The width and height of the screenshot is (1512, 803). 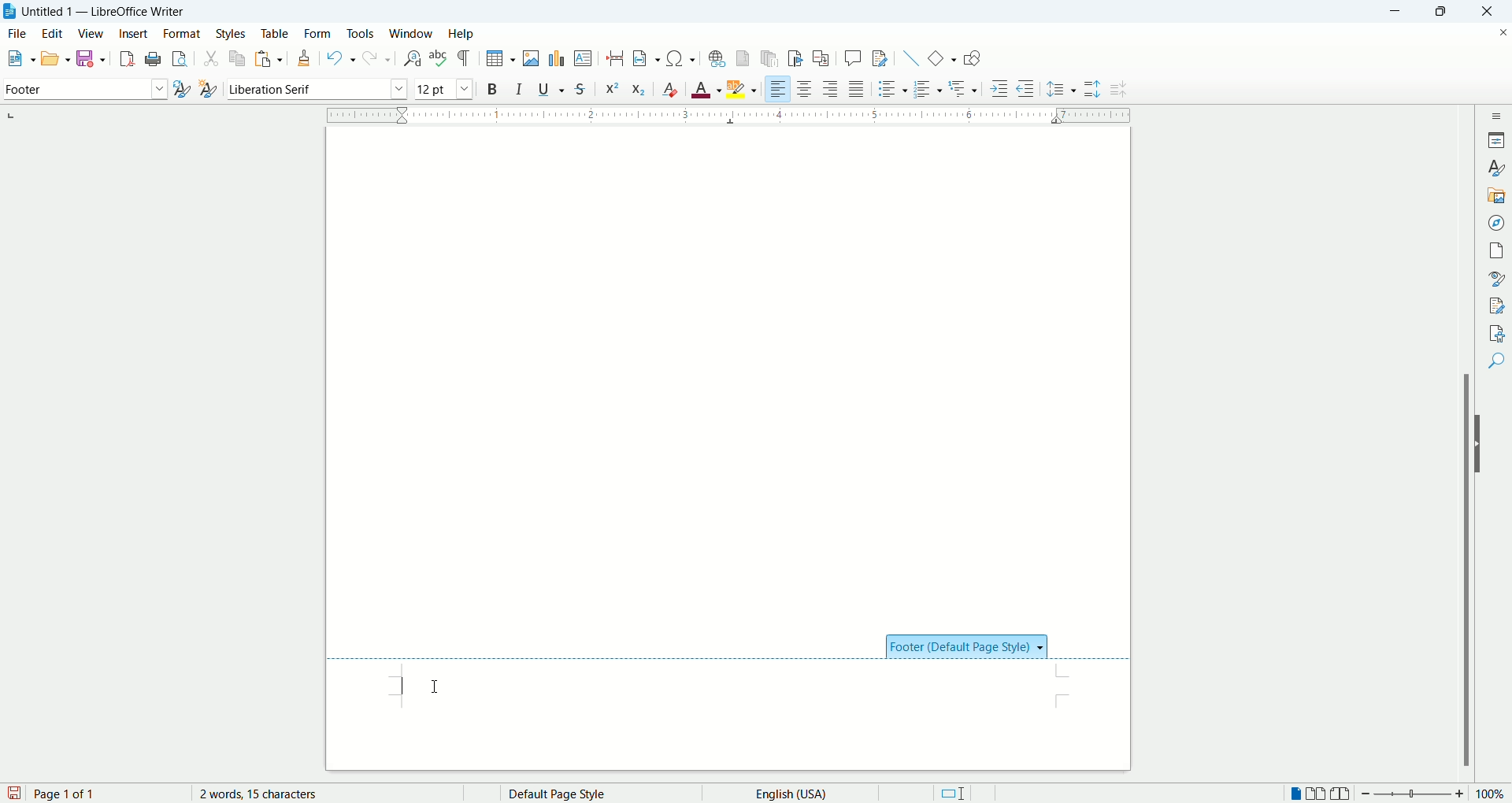 What do you see at coordinates (1499, 31) in the screenshot?
I see `close document` at bounding box center [1499, 31].